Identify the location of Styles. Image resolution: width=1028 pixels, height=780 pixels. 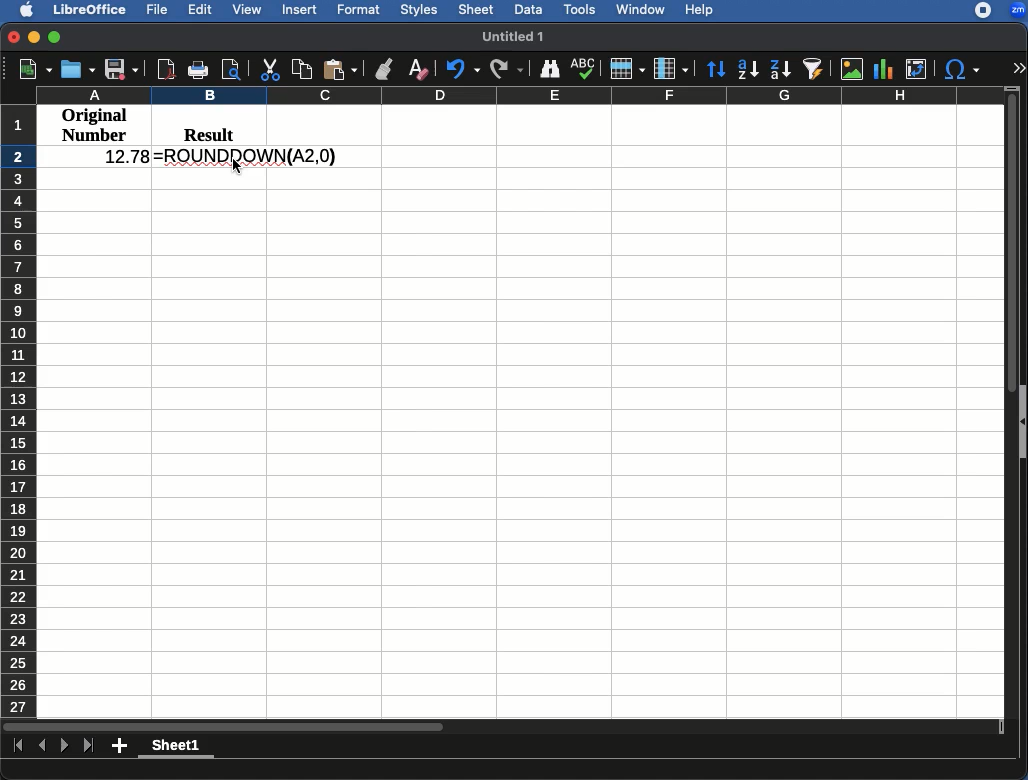
(421, 9).